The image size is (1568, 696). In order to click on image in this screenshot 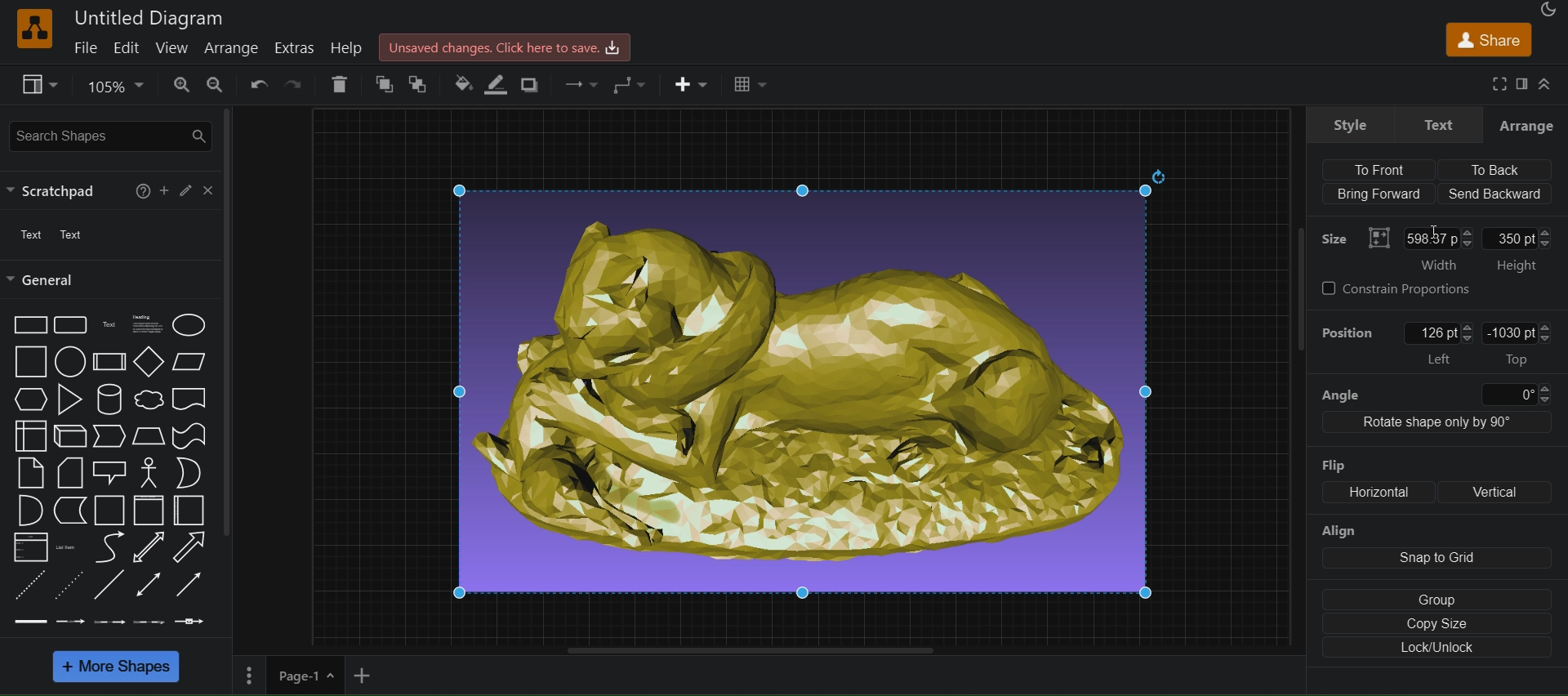, I will do `click(805, 391)`.